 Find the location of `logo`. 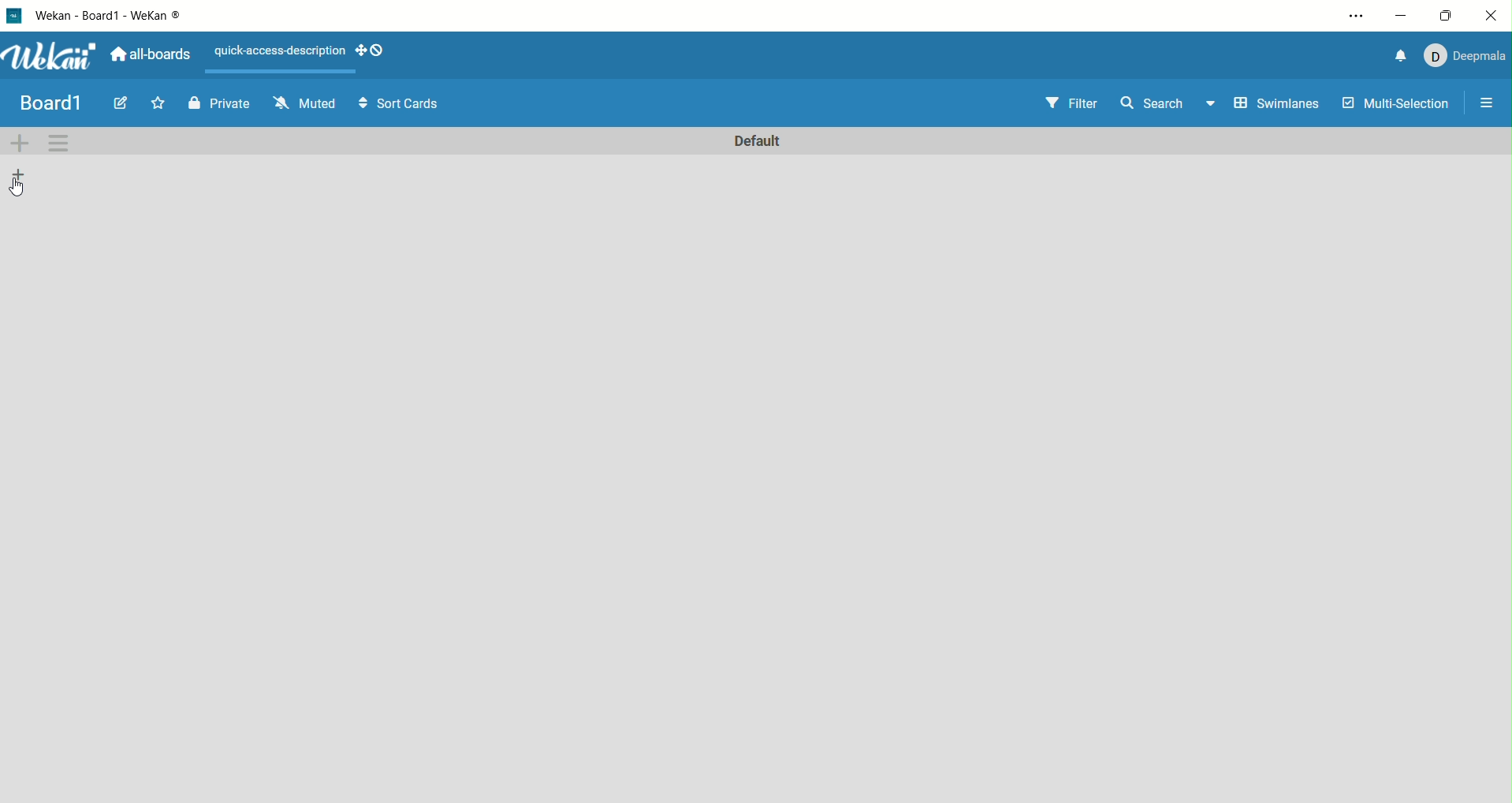

logo is located at coordinates (12, 17).